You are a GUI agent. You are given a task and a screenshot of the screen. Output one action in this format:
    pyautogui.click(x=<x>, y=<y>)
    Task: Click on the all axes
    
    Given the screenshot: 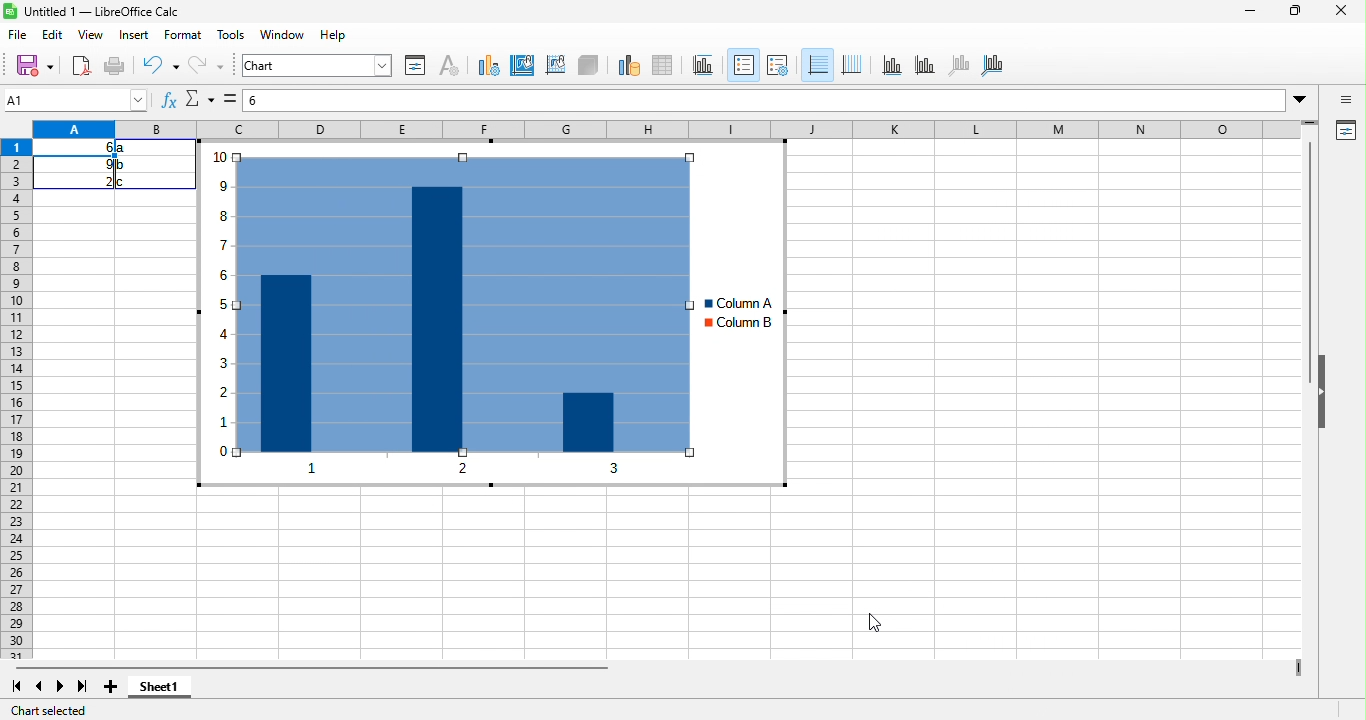 What is the action you would take?
    pyautogui.click(x=995, y=65)
    